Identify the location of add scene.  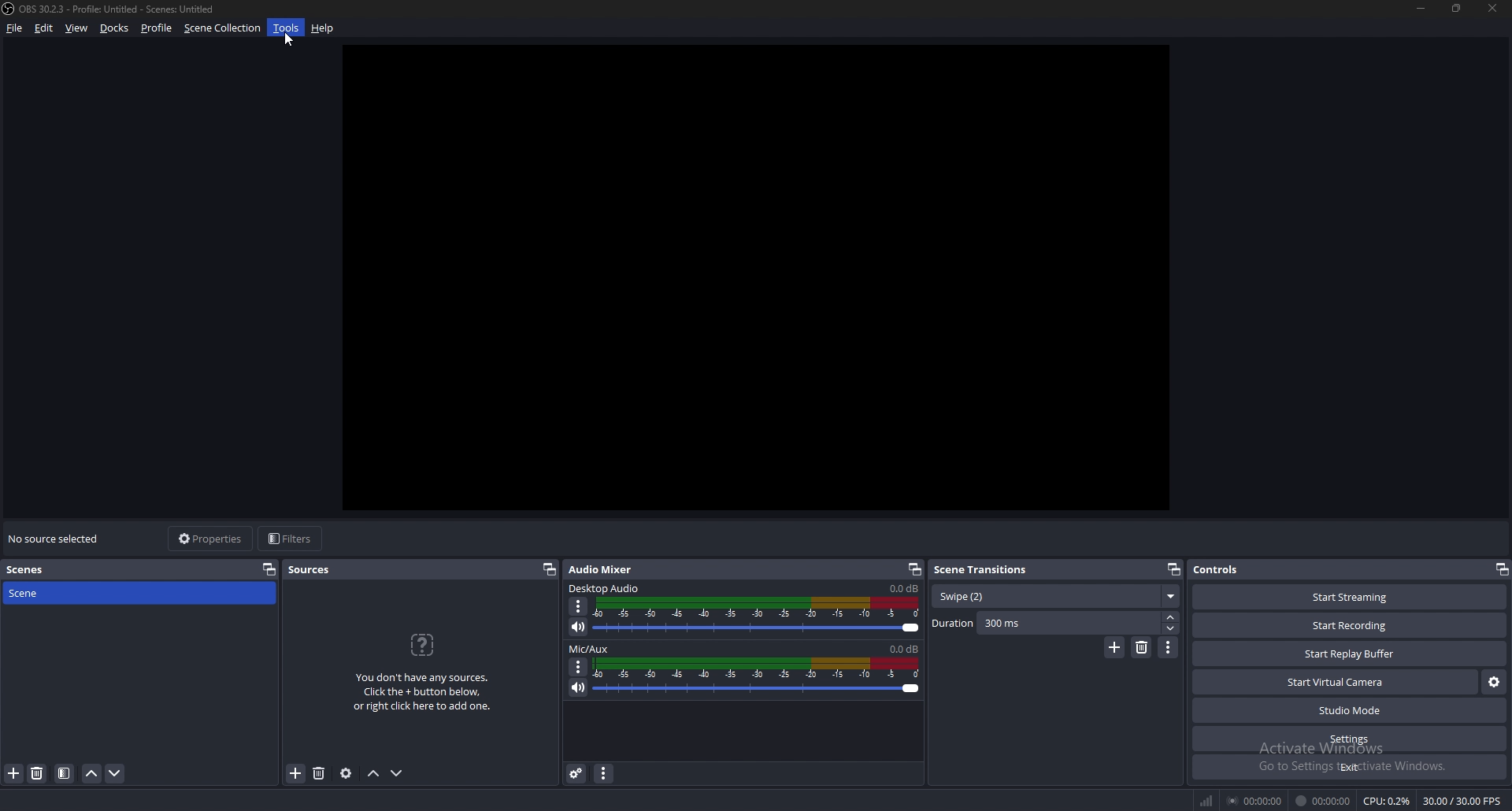
(14, 772).